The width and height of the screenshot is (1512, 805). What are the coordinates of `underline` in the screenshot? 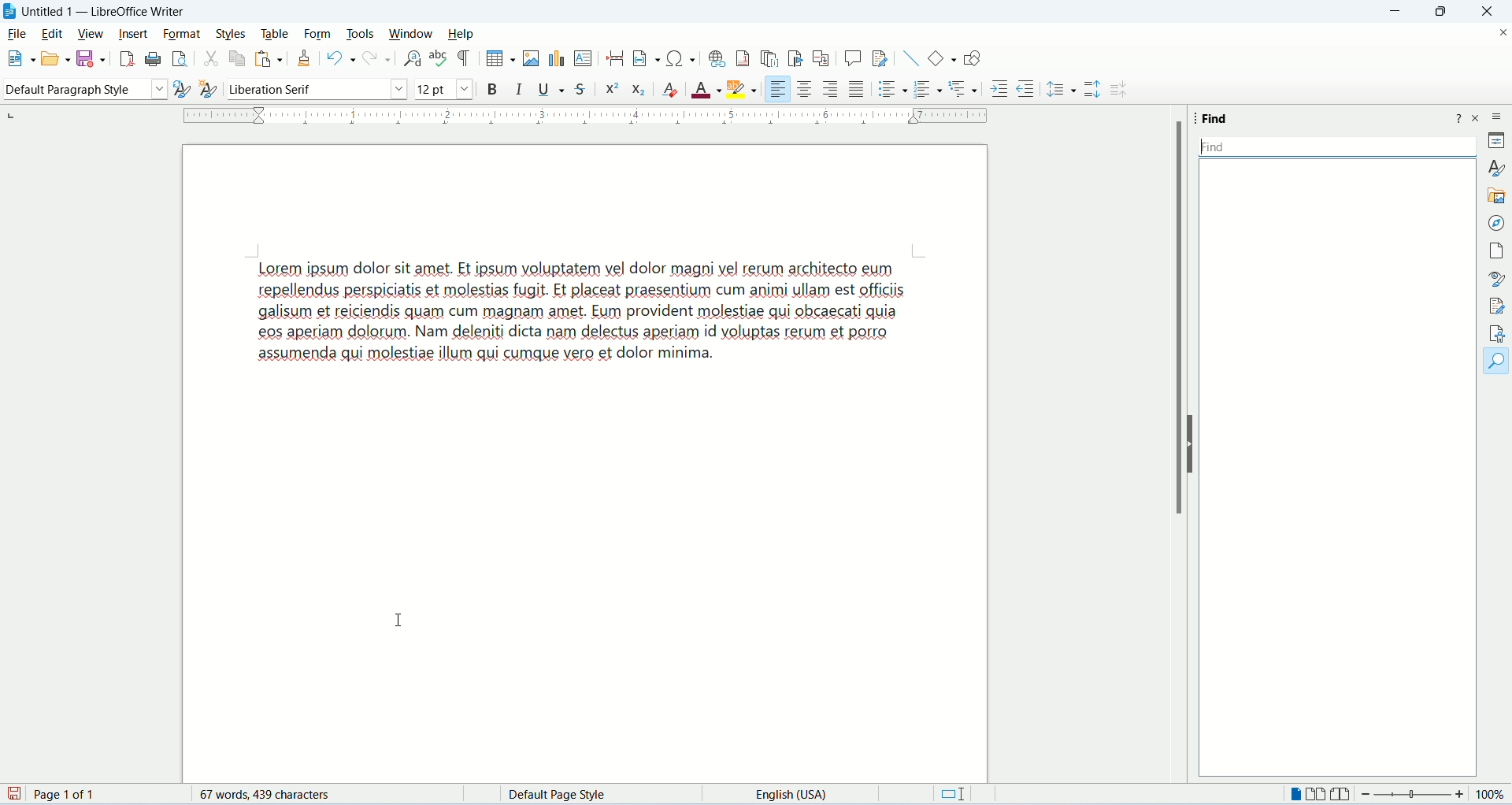 It's located at (550, 90).